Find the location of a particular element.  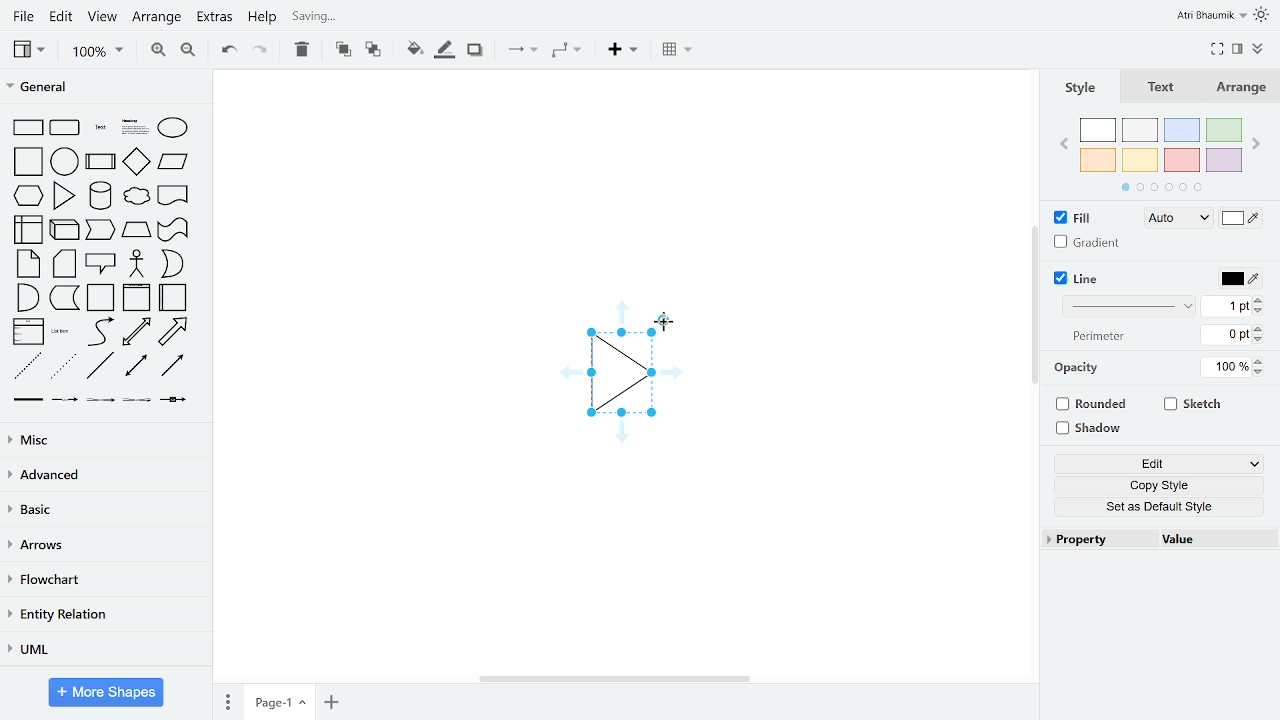

orange is located at coordinates (1098, 159).